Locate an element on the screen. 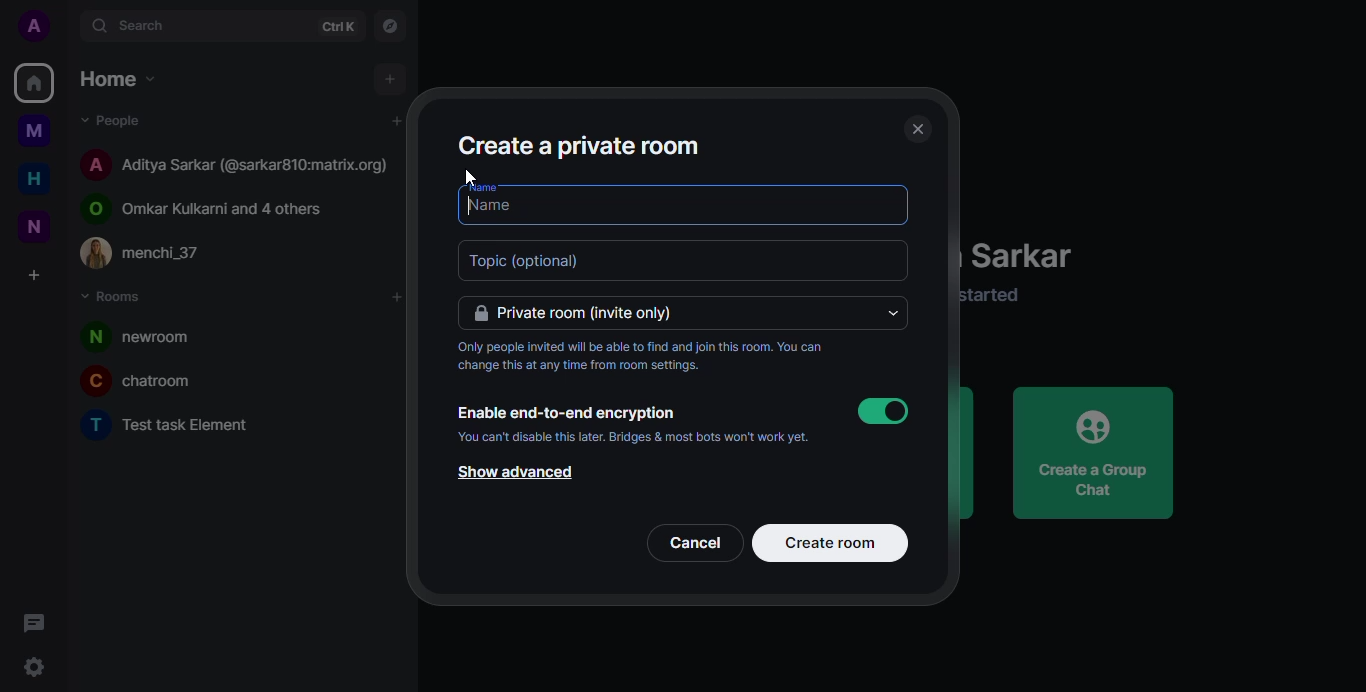  end to end encryption is located at coordinates (567, 413).